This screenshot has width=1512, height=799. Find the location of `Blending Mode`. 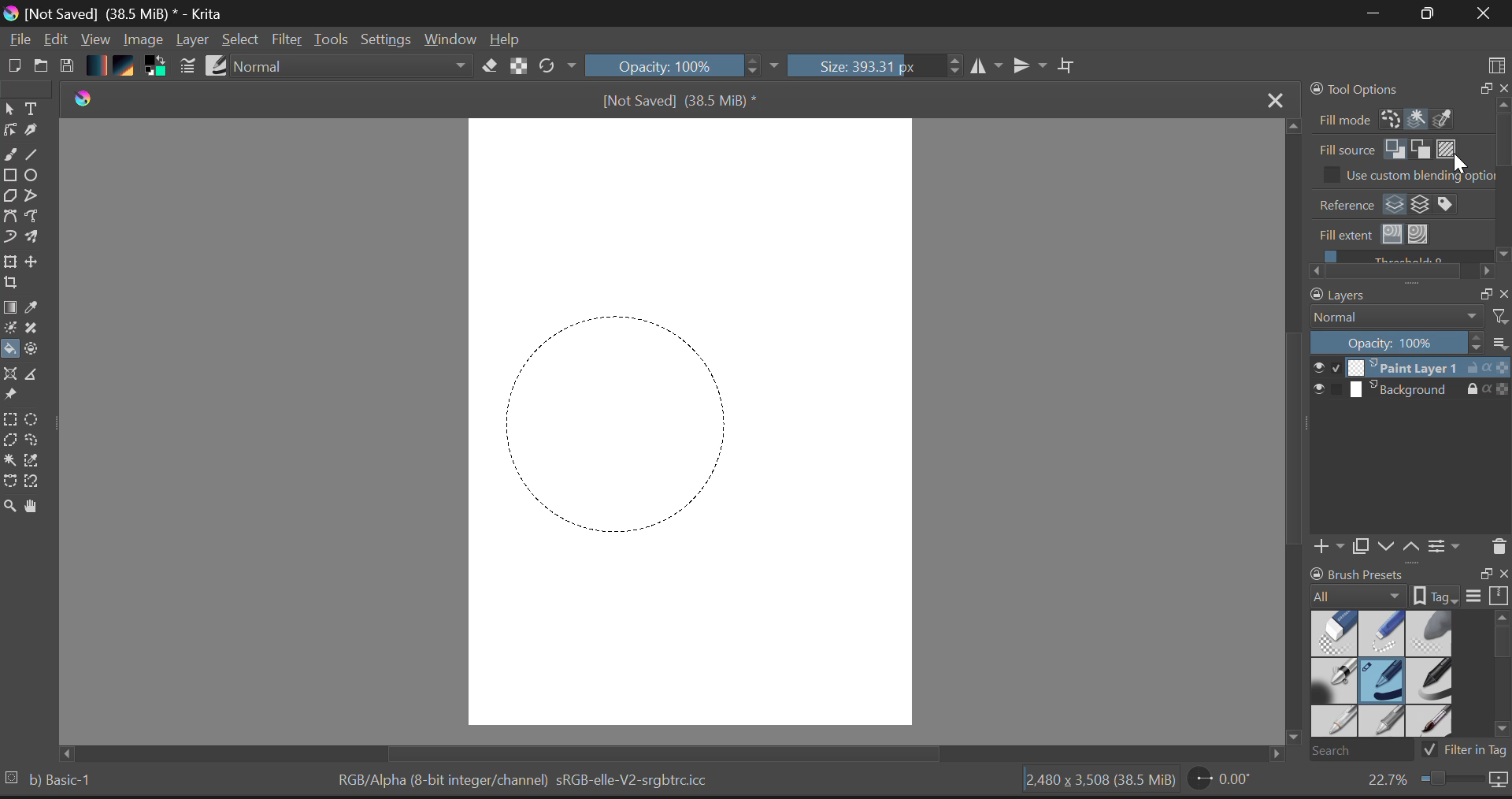

Blending Mode is located at coordinates (351, 68).